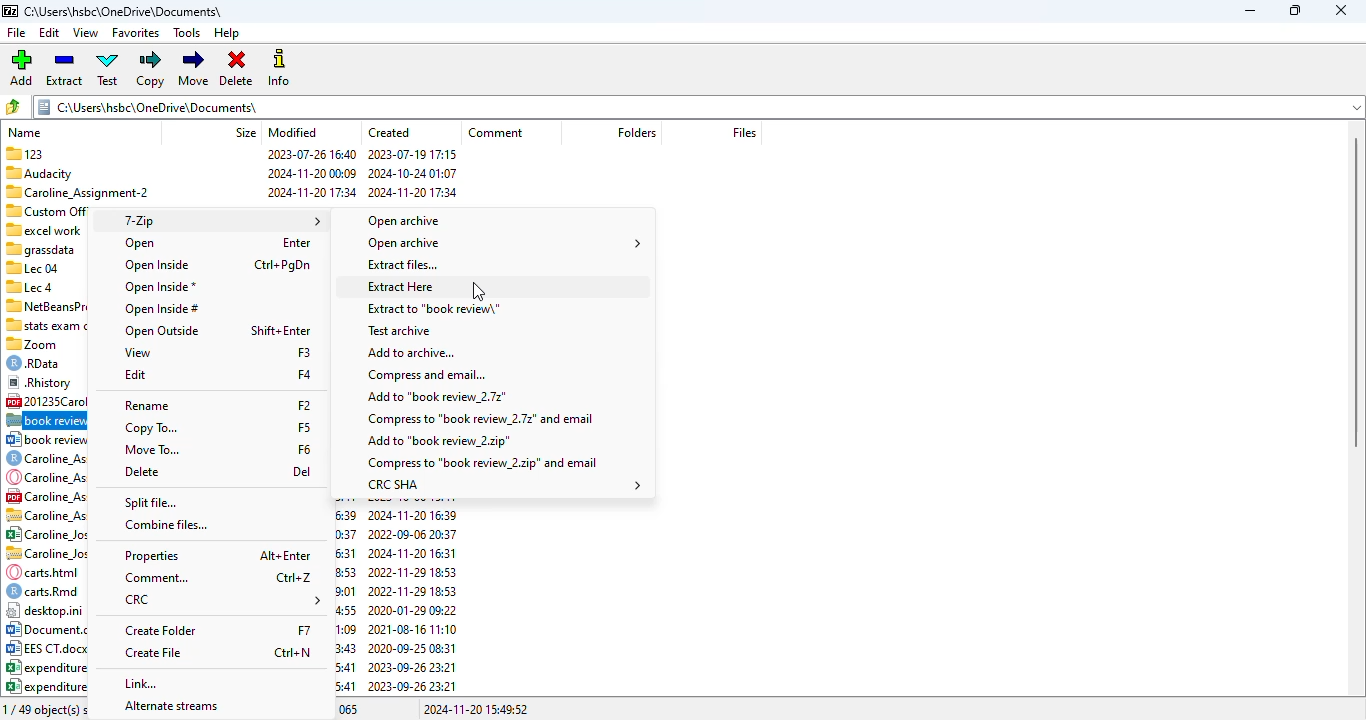 The height and width of the screenshot is (720, 1366). I want to click on add to .zip file, so click(438, 441).